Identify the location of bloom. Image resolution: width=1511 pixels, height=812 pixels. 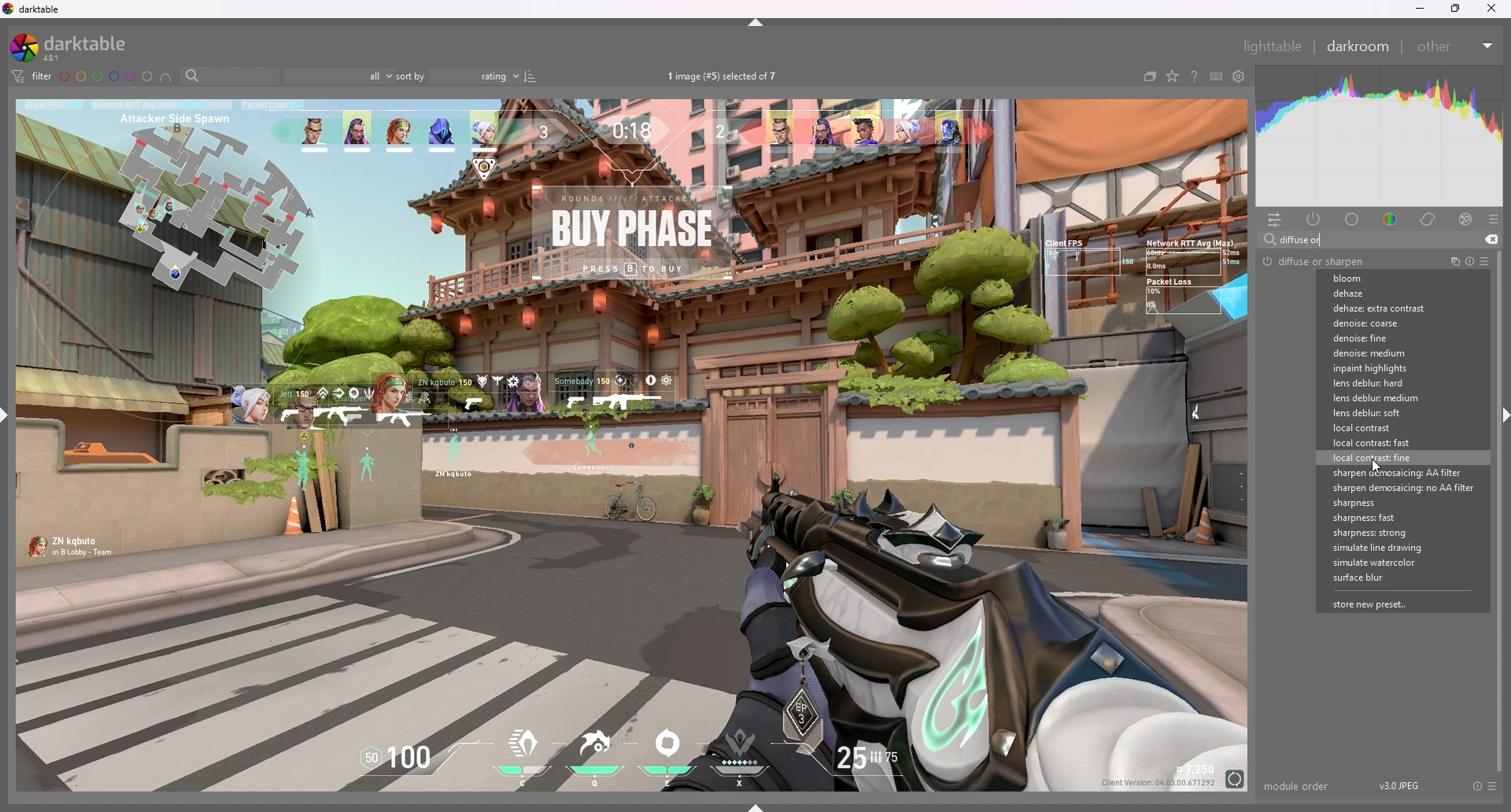
(1375, 279).